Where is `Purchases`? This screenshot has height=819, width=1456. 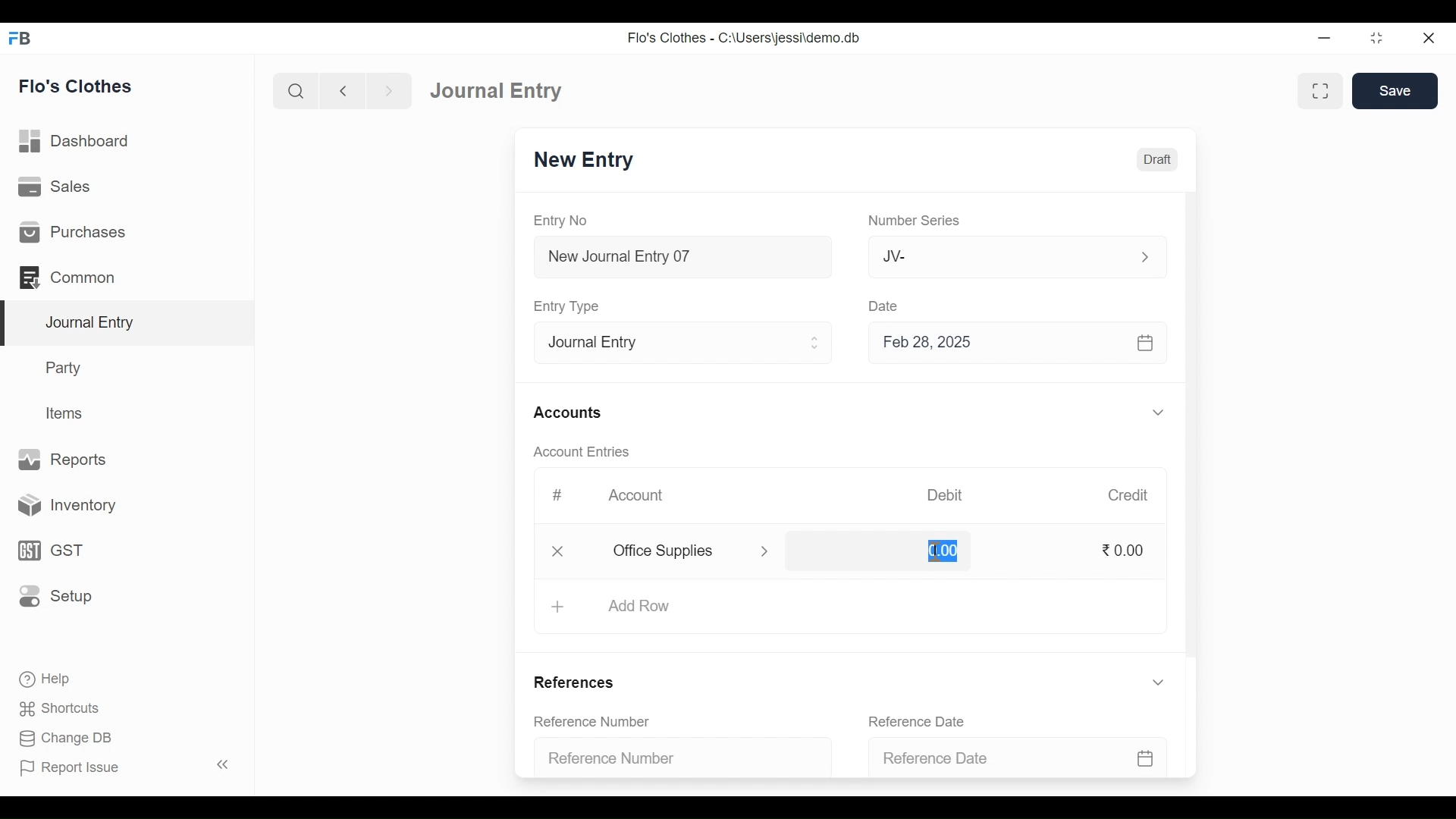 Purchases is located at coordinates (73, 231).